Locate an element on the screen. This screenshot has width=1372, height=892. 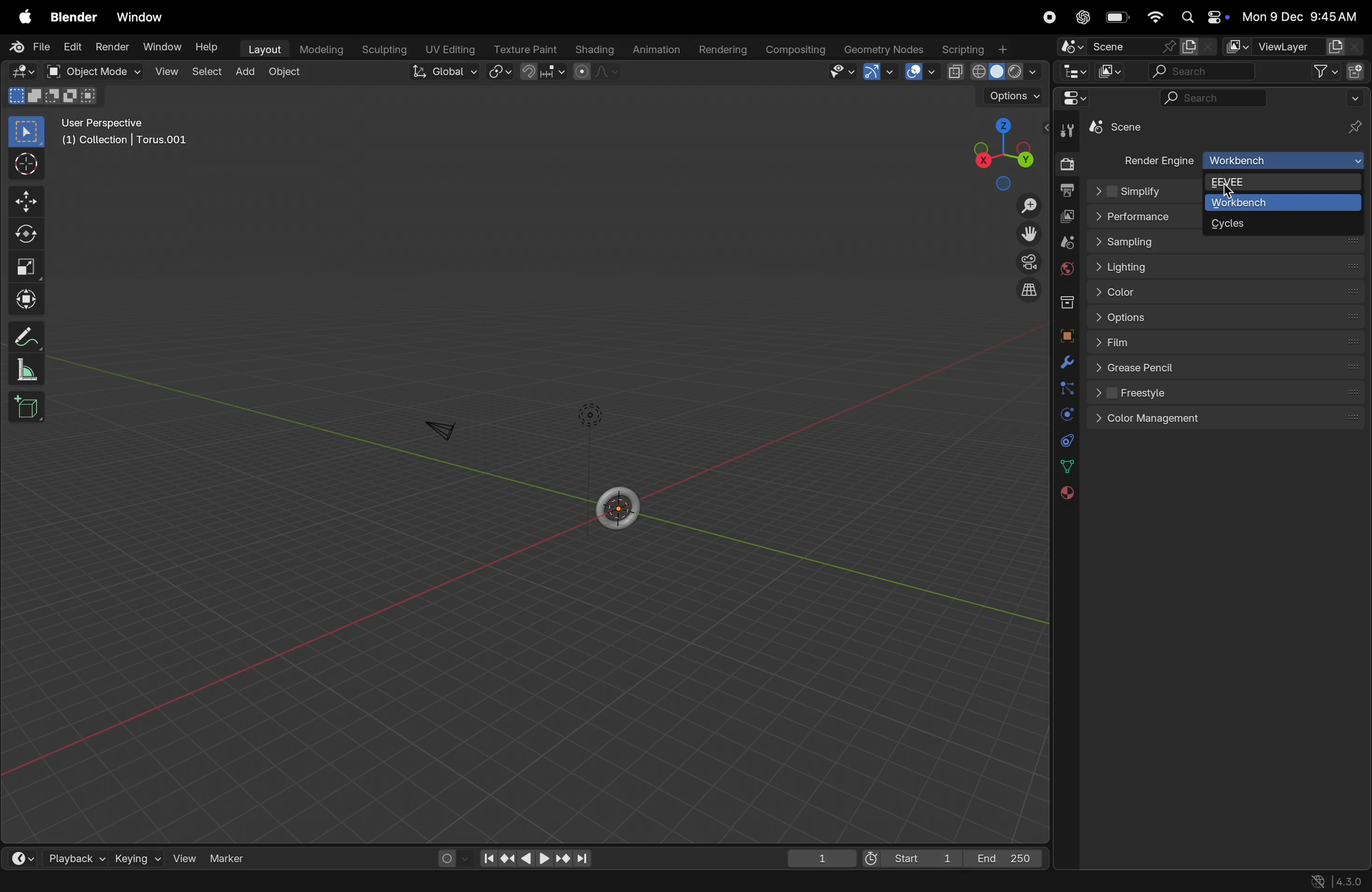
render is located at coordinates (1063, 162).